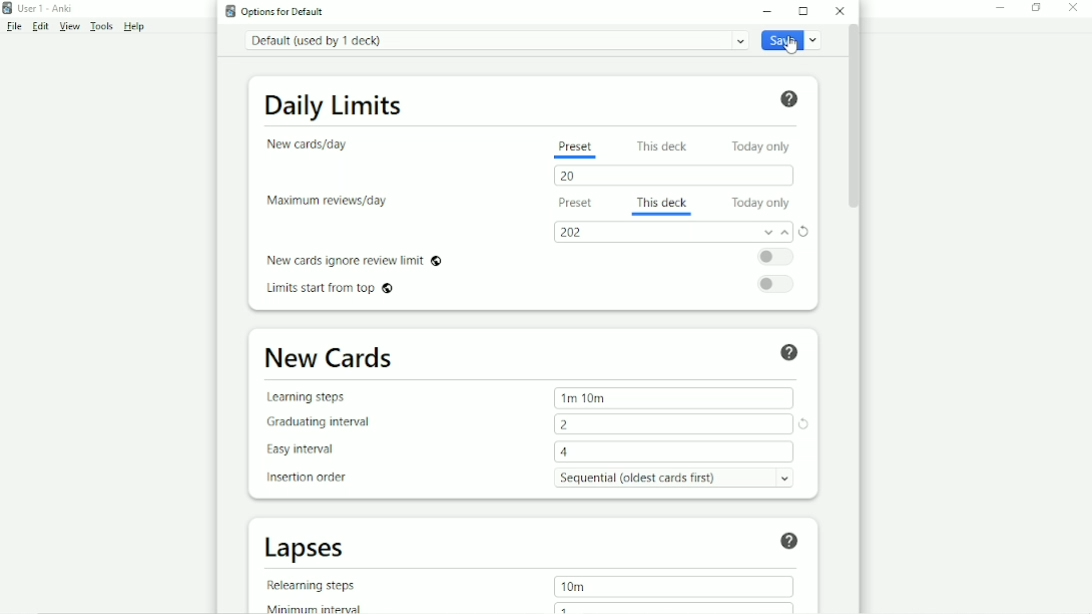 The width and height of the screenshot is (1092, 614). I want to click on Minimum interval, so click(320, 607).